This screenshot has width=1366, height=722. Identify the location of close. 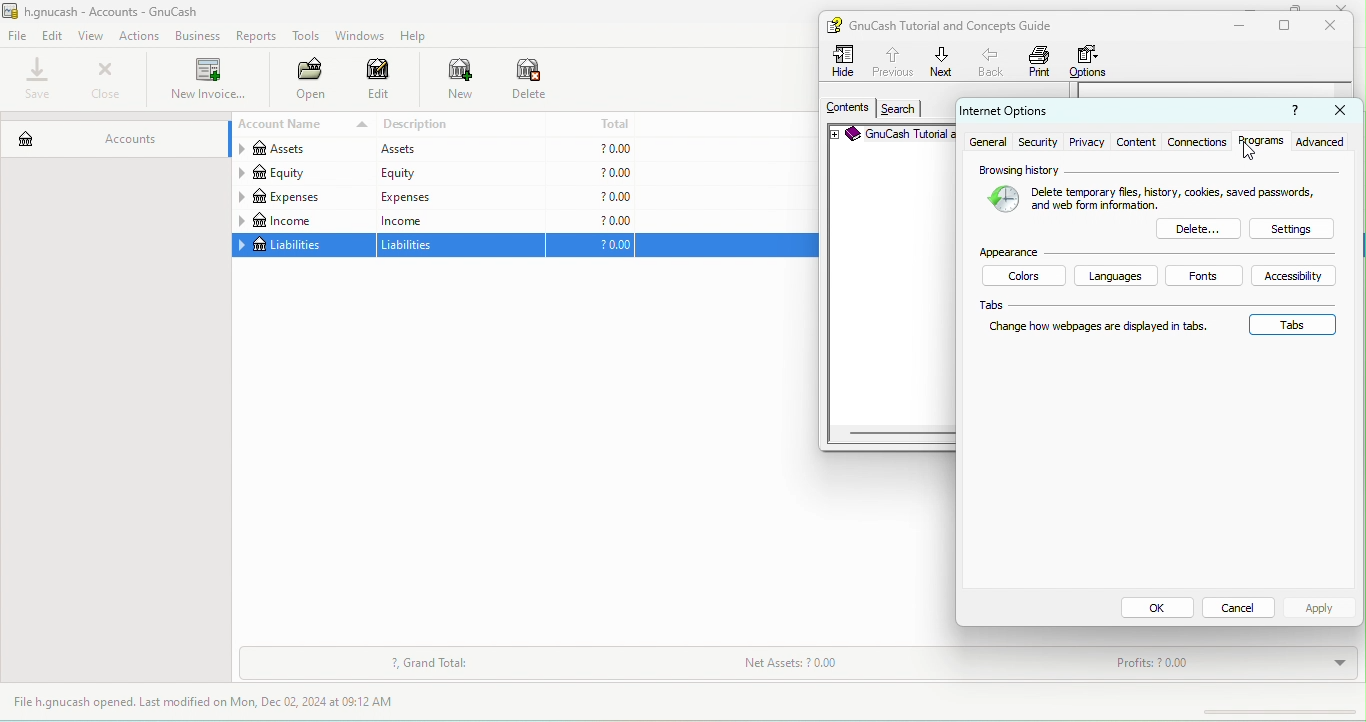
(1347, 6).